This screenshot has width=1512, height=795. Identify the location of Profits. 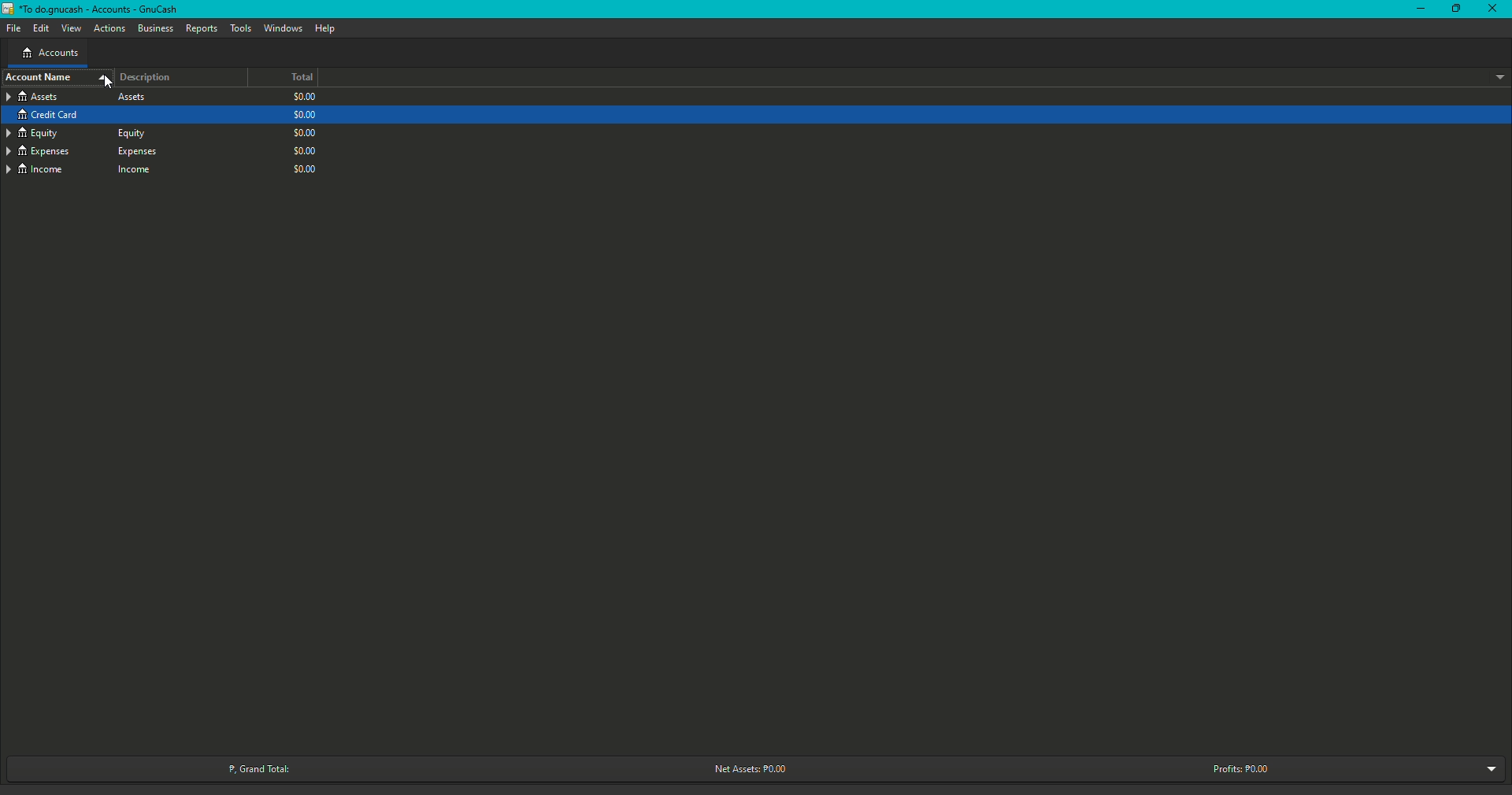
(1233, 767).